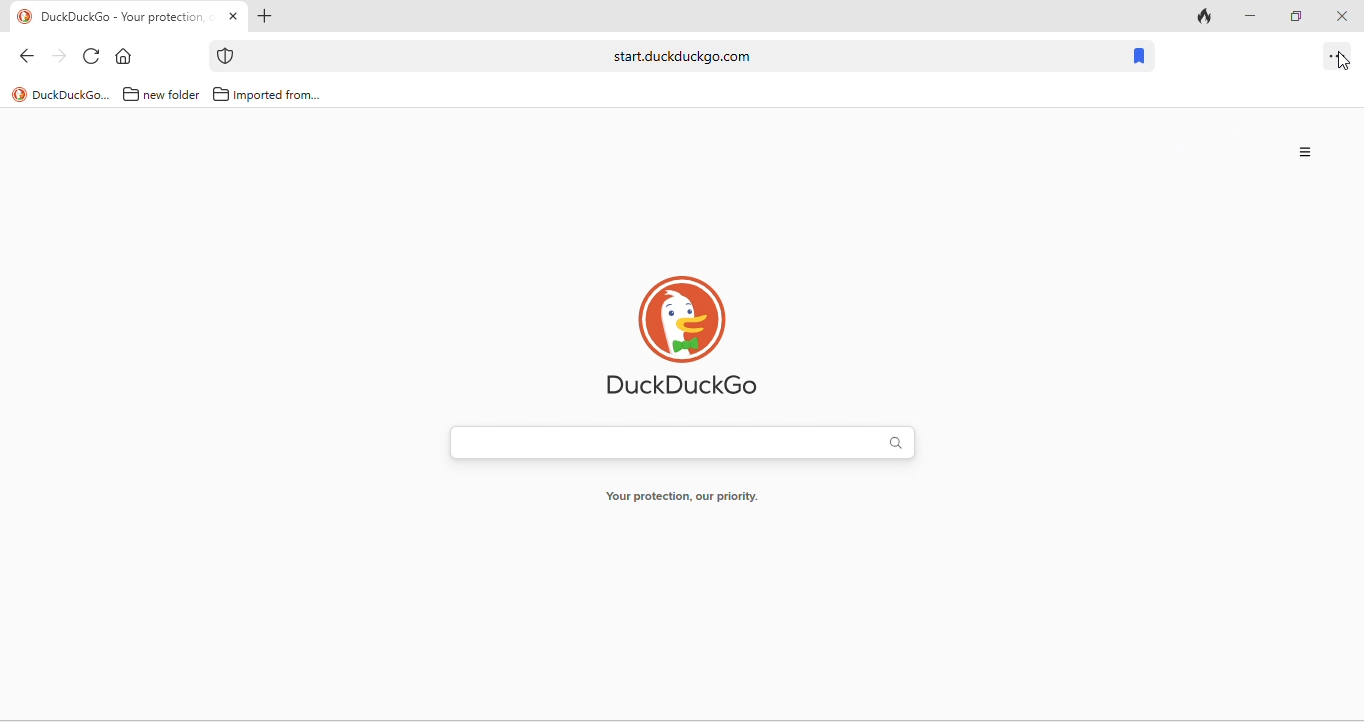  I want to click on add new tab, so click(267, 16).